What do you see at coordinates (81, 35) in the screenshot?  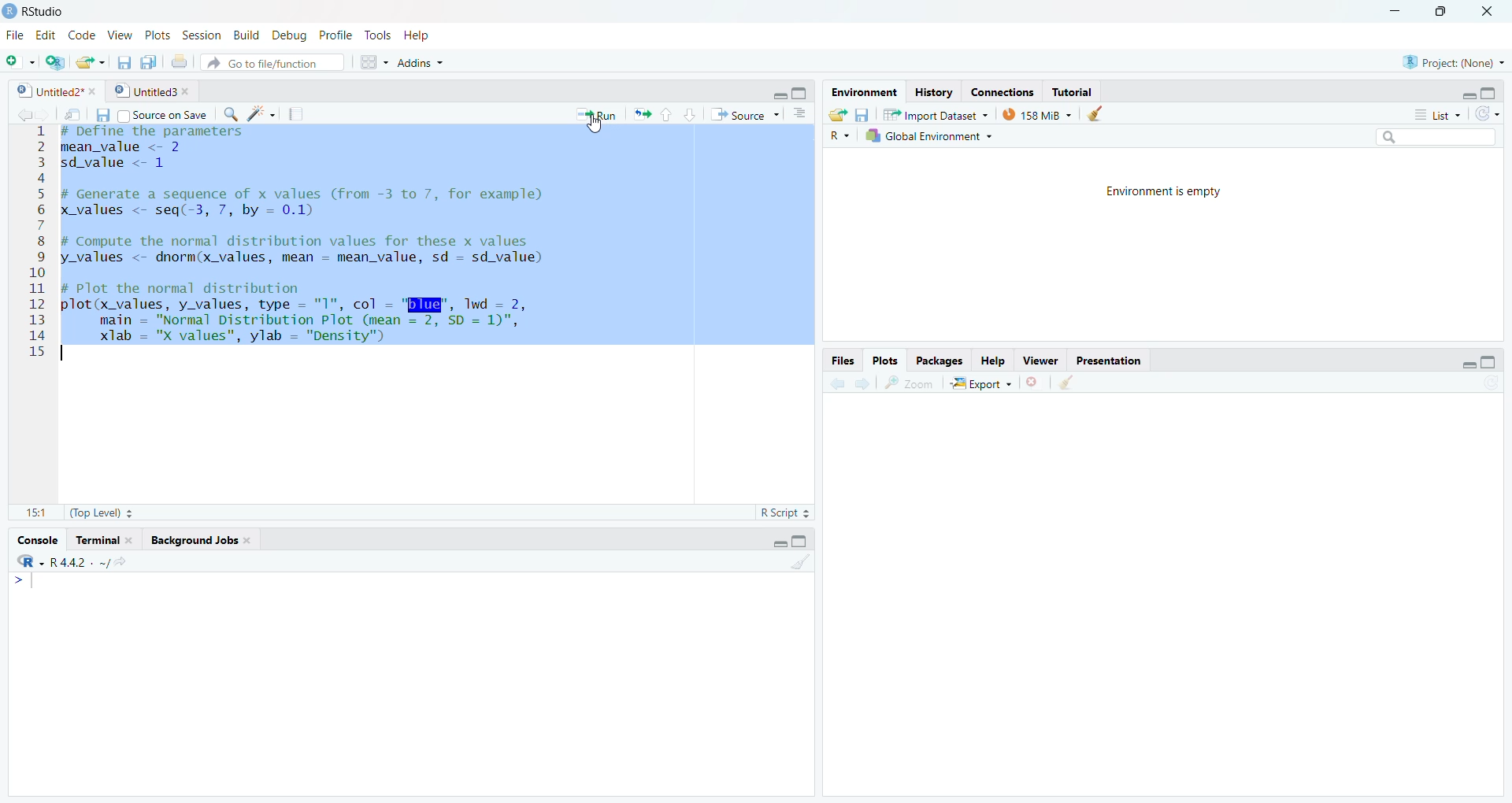 I see `Code` at bounding box center [81, 35].